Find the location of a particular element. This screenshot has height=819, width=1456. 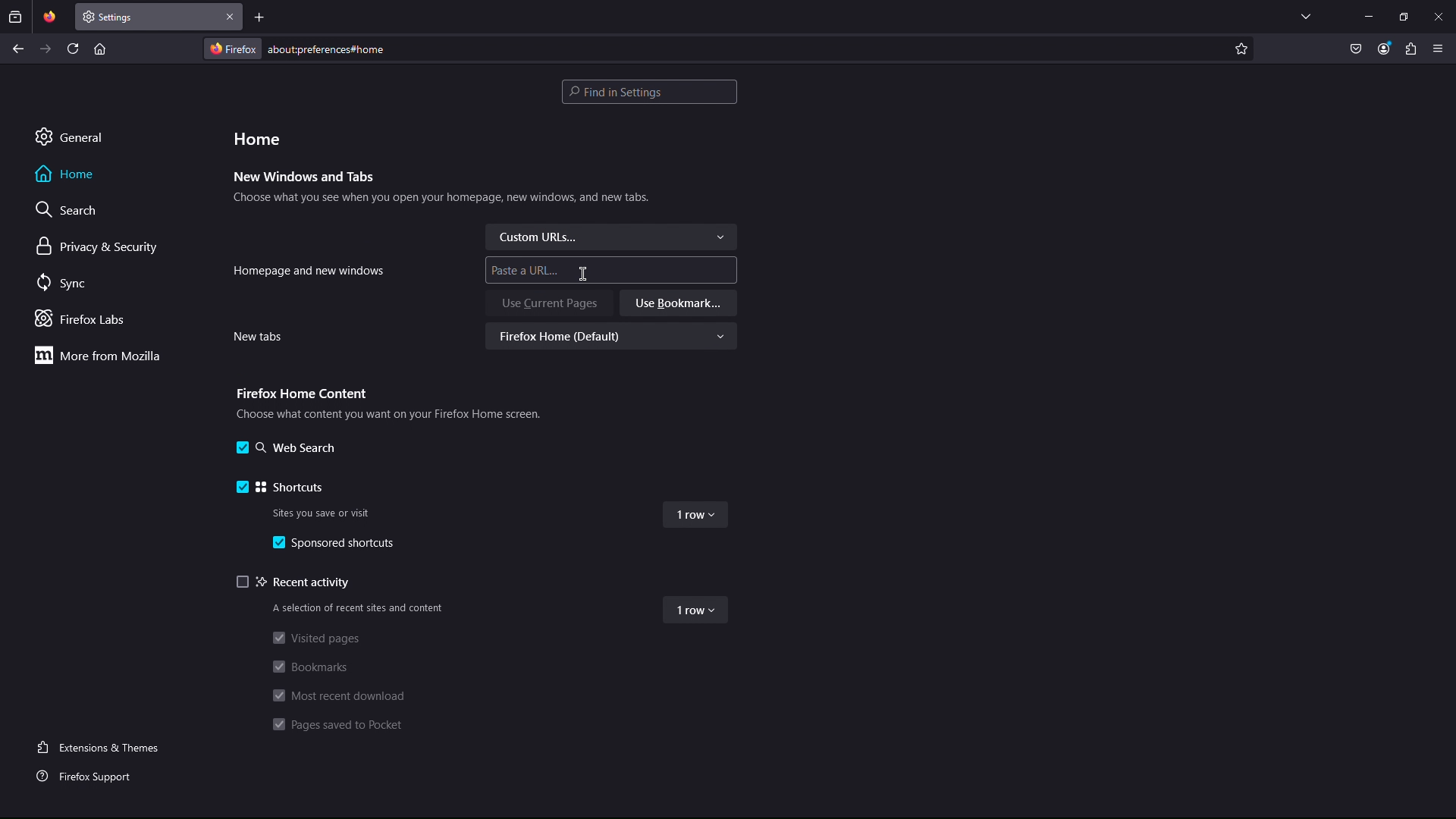

Search bar is located at coordinates (649, 92).